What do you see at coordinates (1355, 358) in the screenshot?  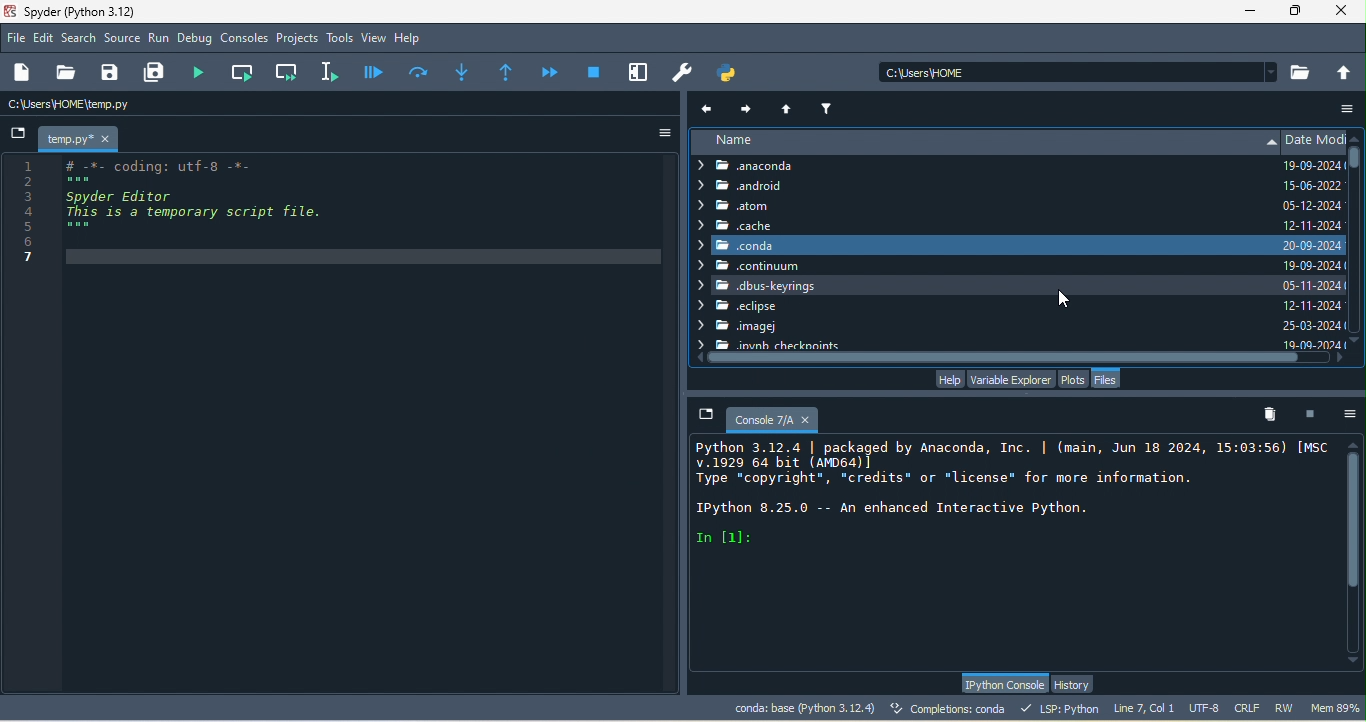 I see `scroll down` at bounding box center [1355, 358].